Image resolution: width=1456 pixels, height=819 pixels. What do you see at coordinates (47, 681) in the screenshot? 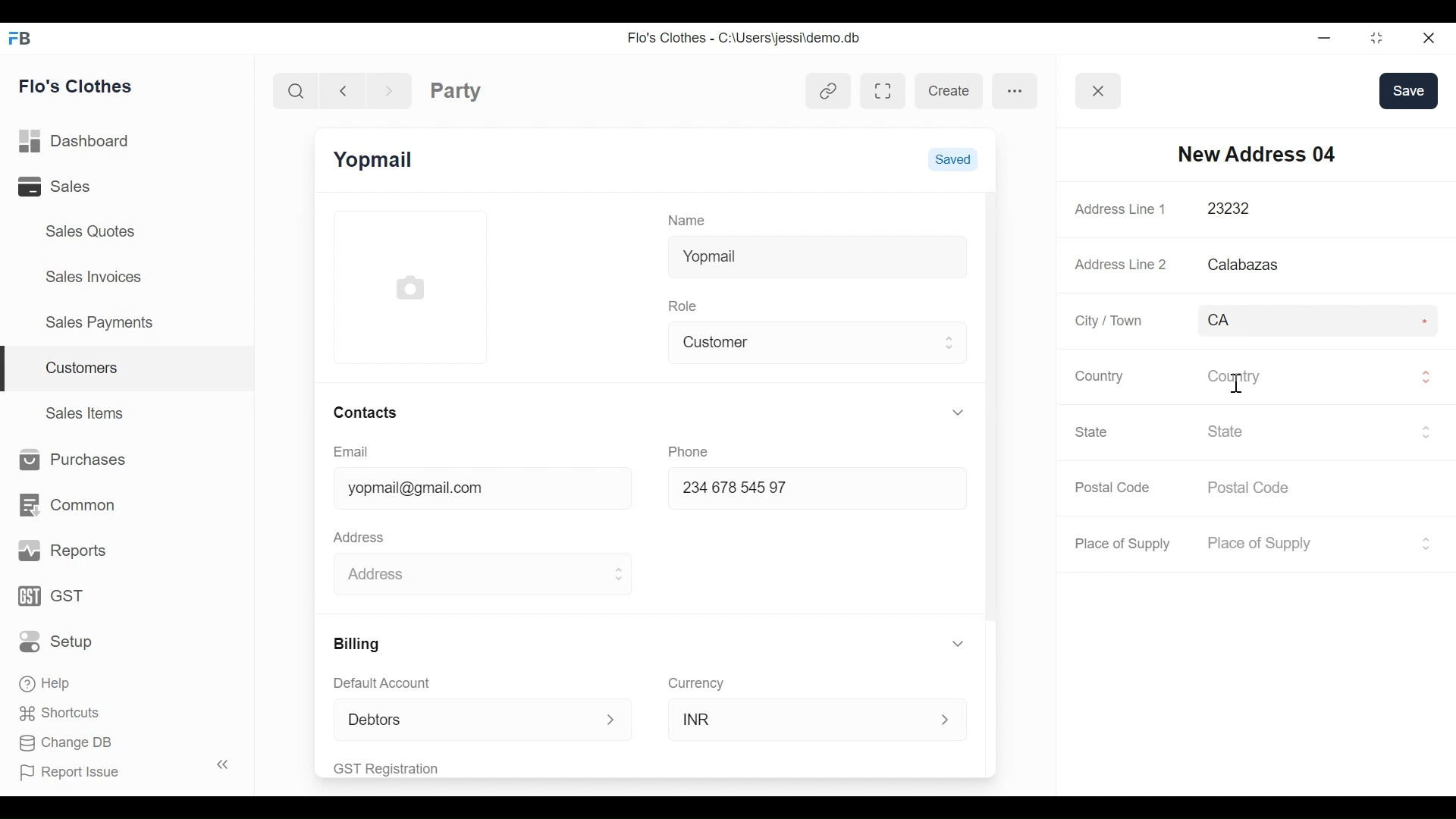
I see `Help` at bounding box center [47, 681].